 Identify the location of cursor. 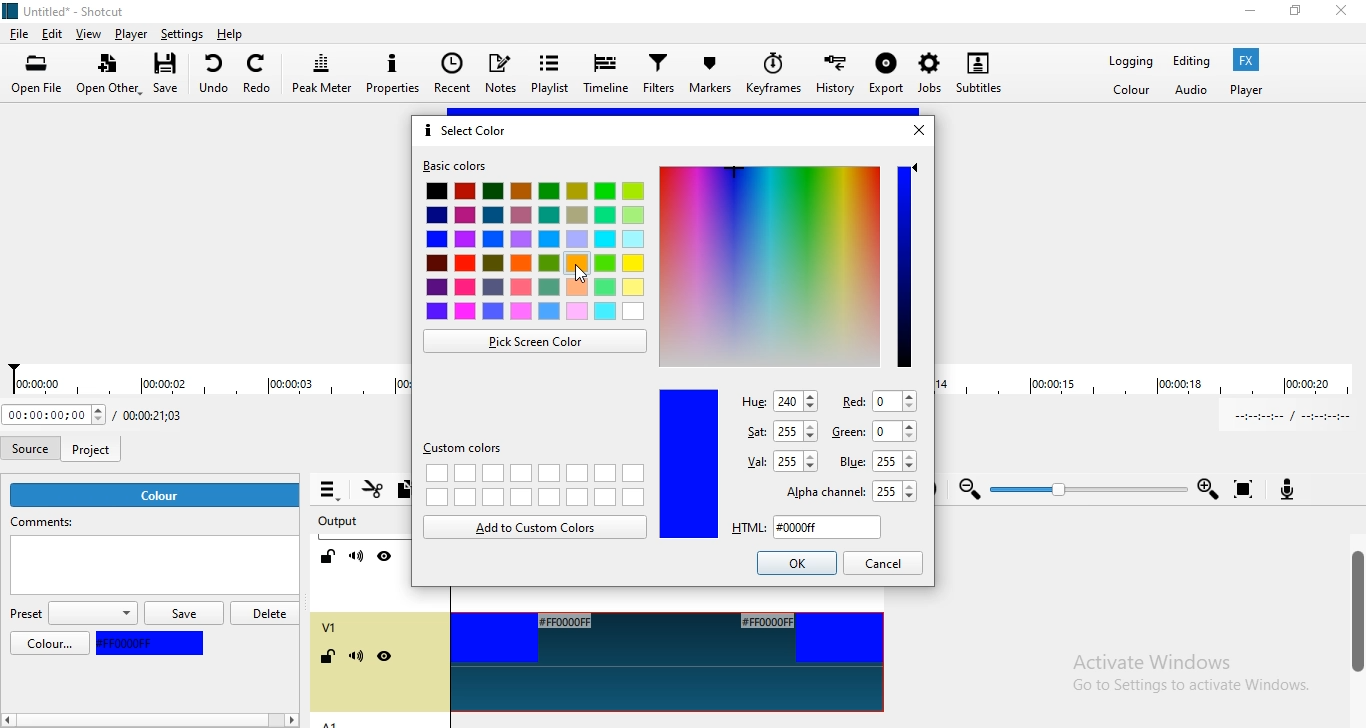
(583, 275).